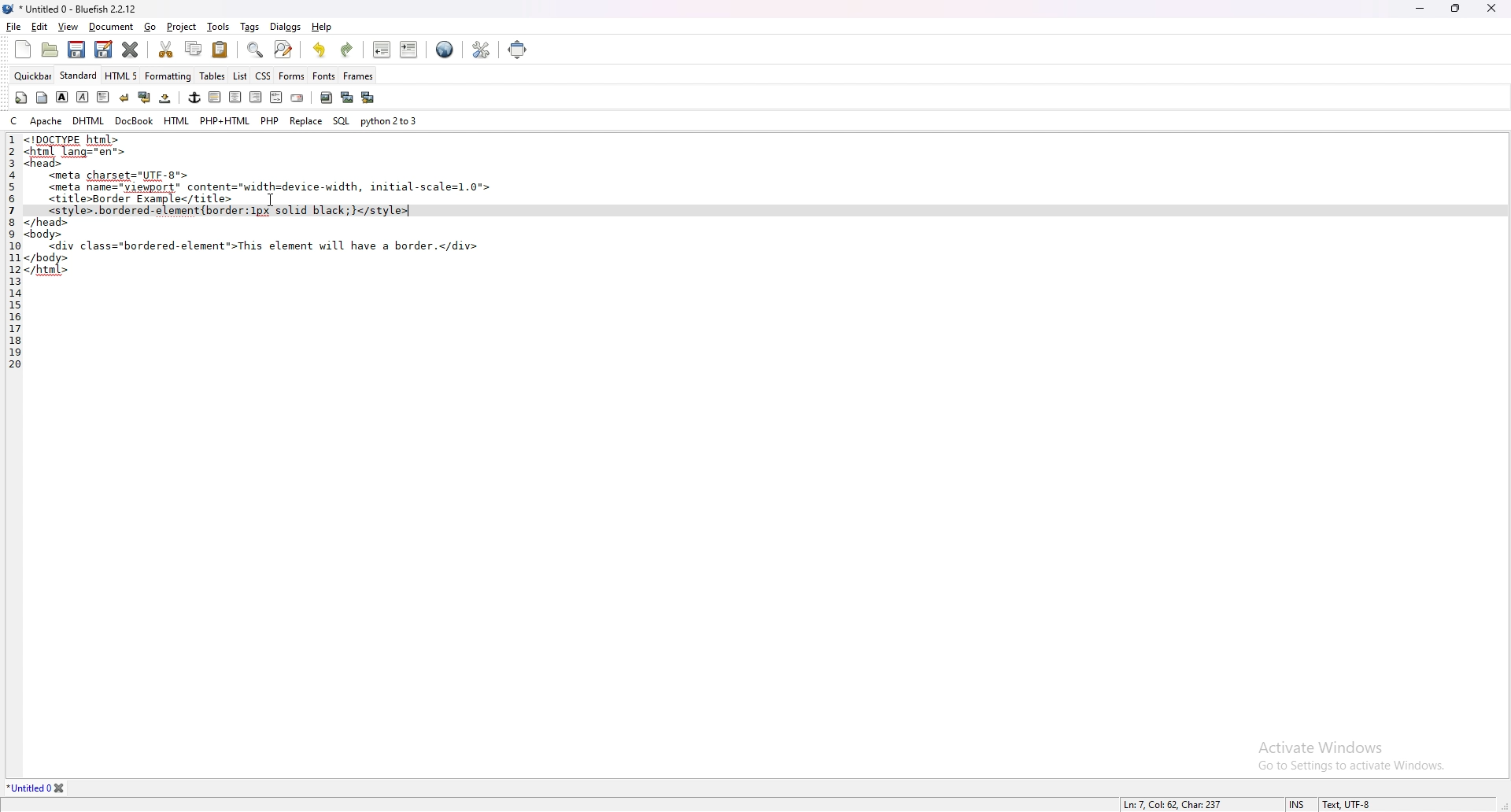 This screenshot has height=812, width=1511. Describe the element at coordinates (292, 76) in the screenshot. I see `forms` at that location.